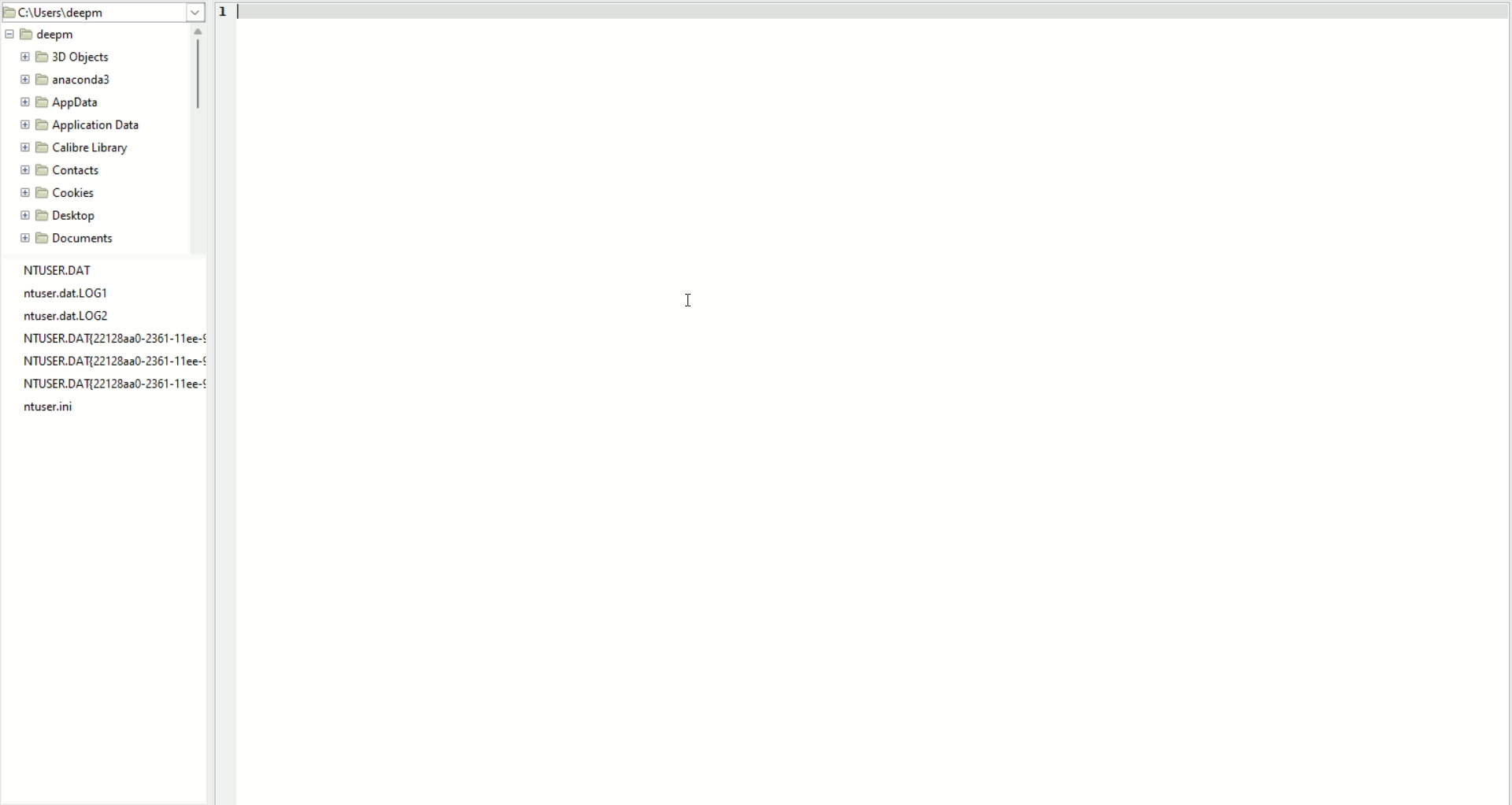  What do you see at coordinates (55, 193) in the screenshot?
I see `folder name` at bounding box center [55, 193].